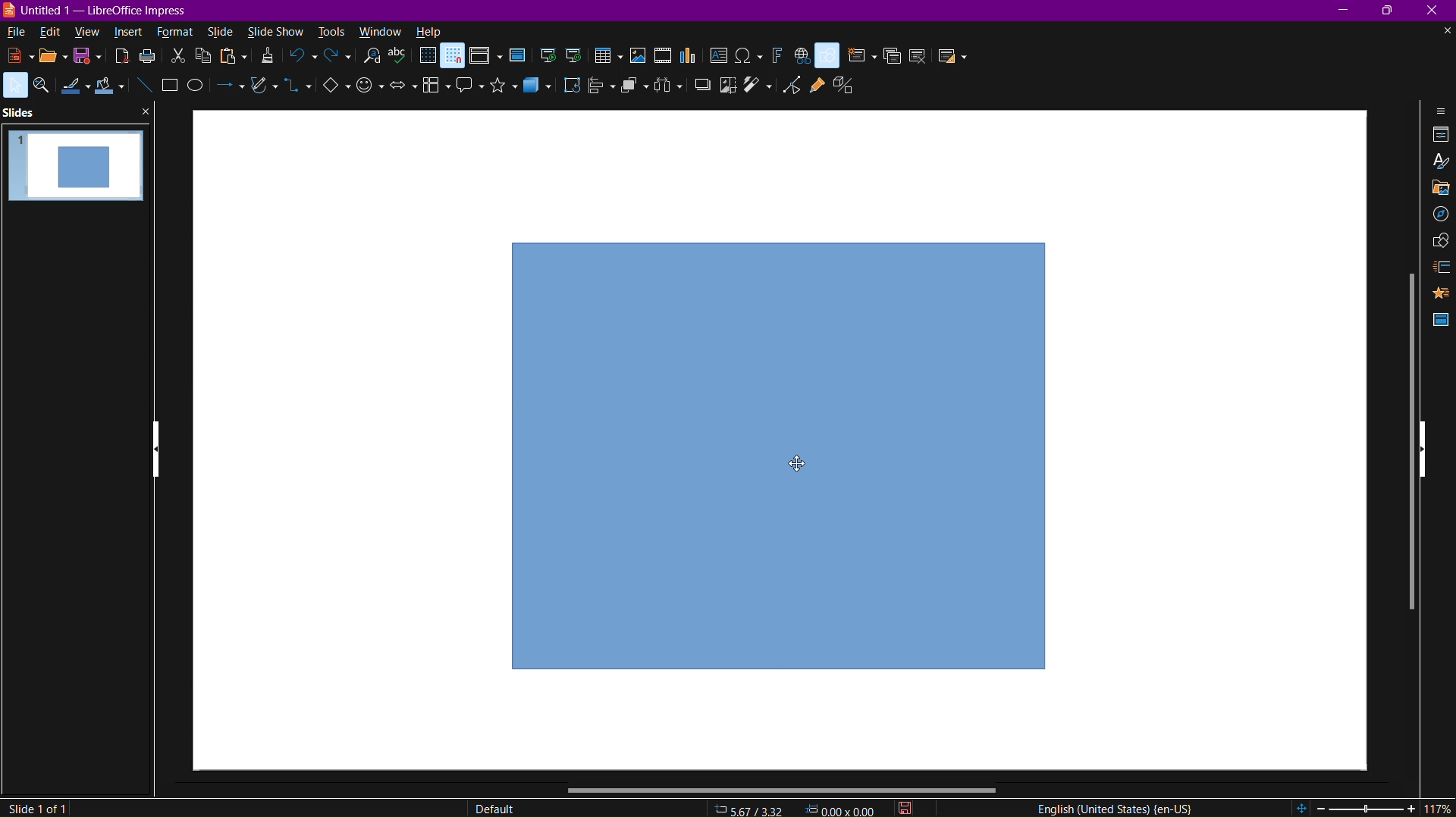 This screenshot has width=1456, height=817. Describe the element at coordinates (1439, 136) in the screenshot. I see `Properties` at that location.